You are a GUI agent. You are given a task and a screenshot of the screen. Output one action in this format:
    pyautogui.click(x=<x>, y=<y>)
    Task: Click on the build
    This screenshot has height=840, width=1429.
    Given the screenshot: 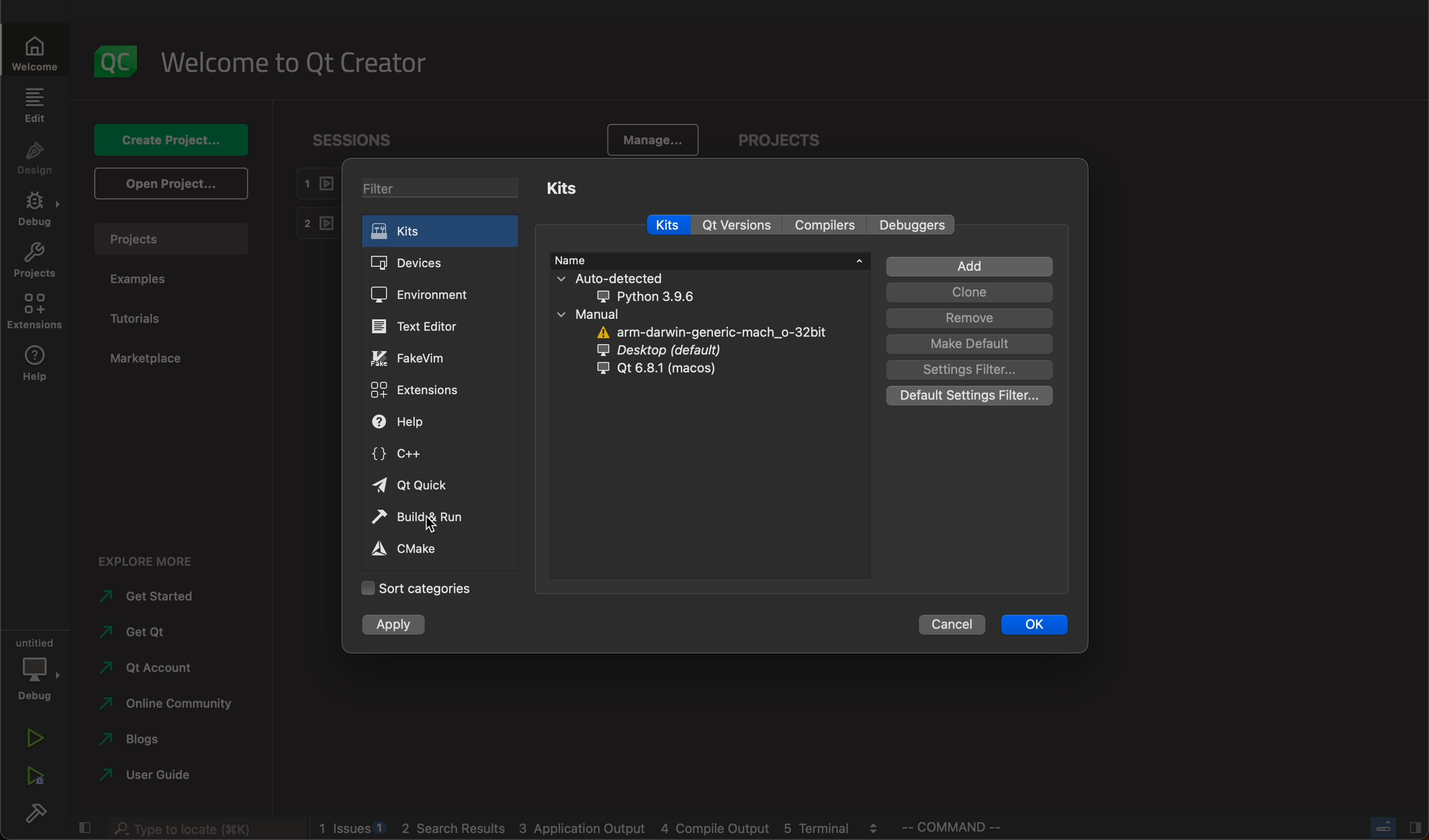 What is the action you would take?
    pyautogui.click(x=39, y=816)
    